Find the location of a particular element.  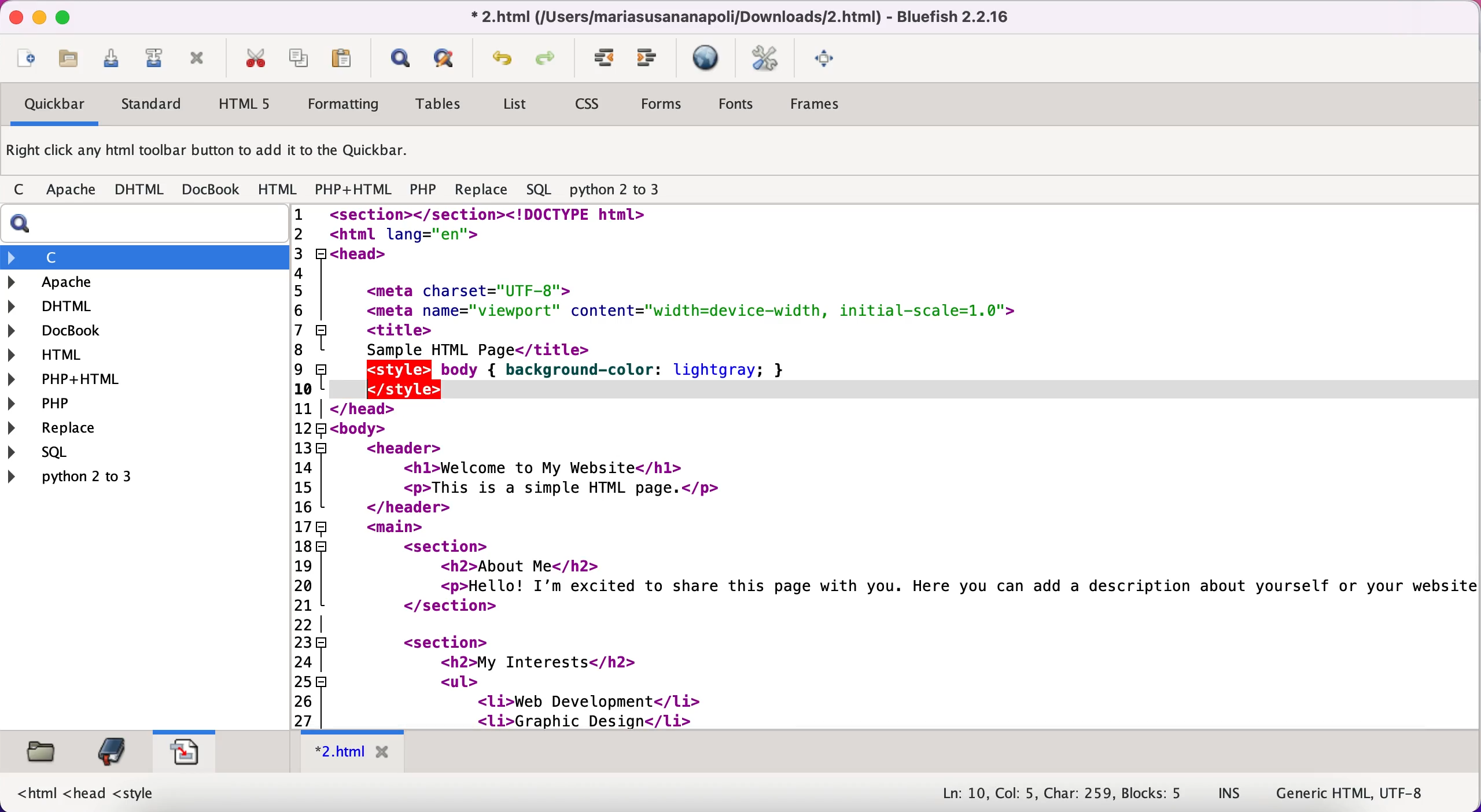

preview in browser is located at coordinates (708, 58).